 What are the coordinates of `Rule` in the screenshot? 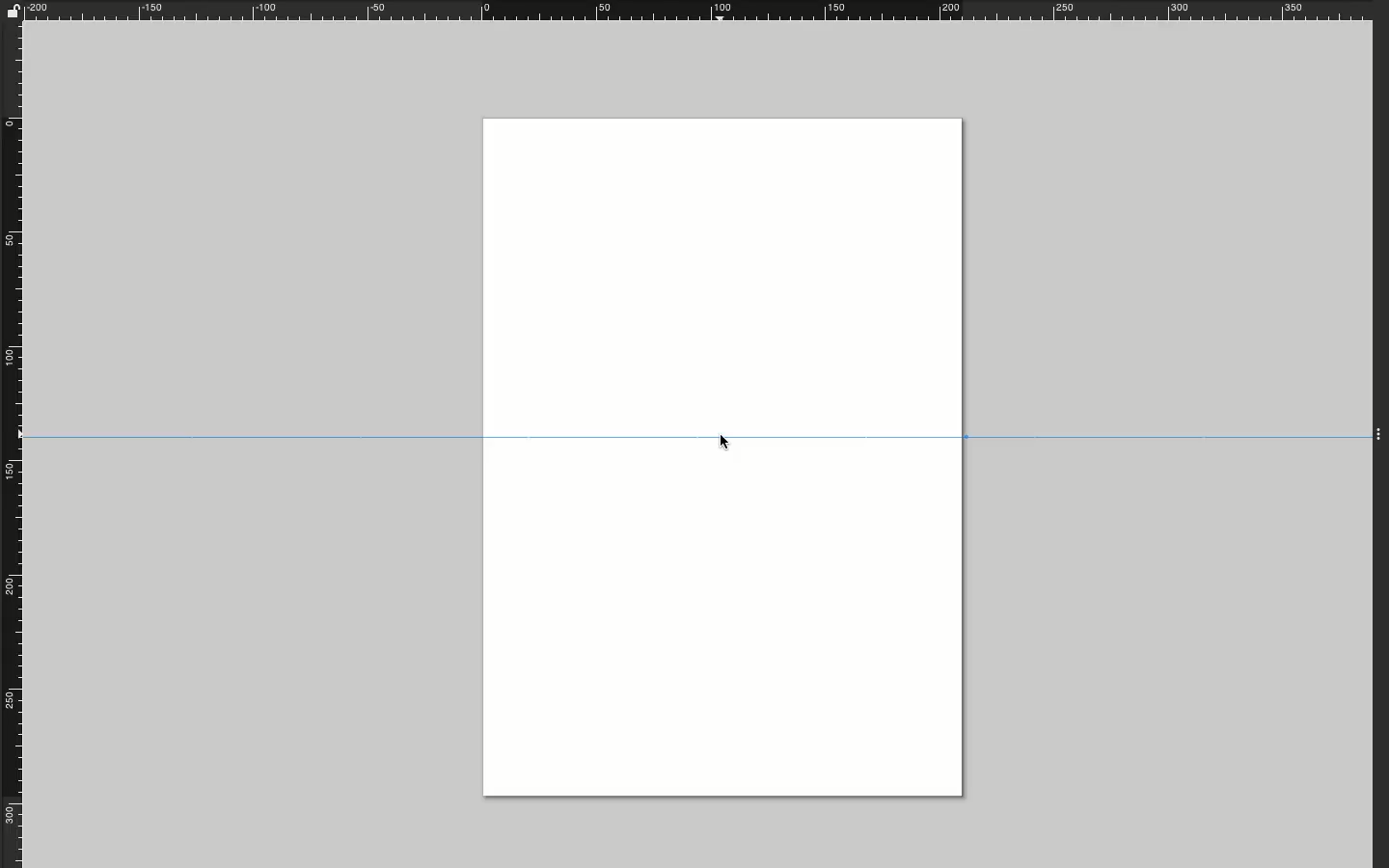 It's located at (13, 444).